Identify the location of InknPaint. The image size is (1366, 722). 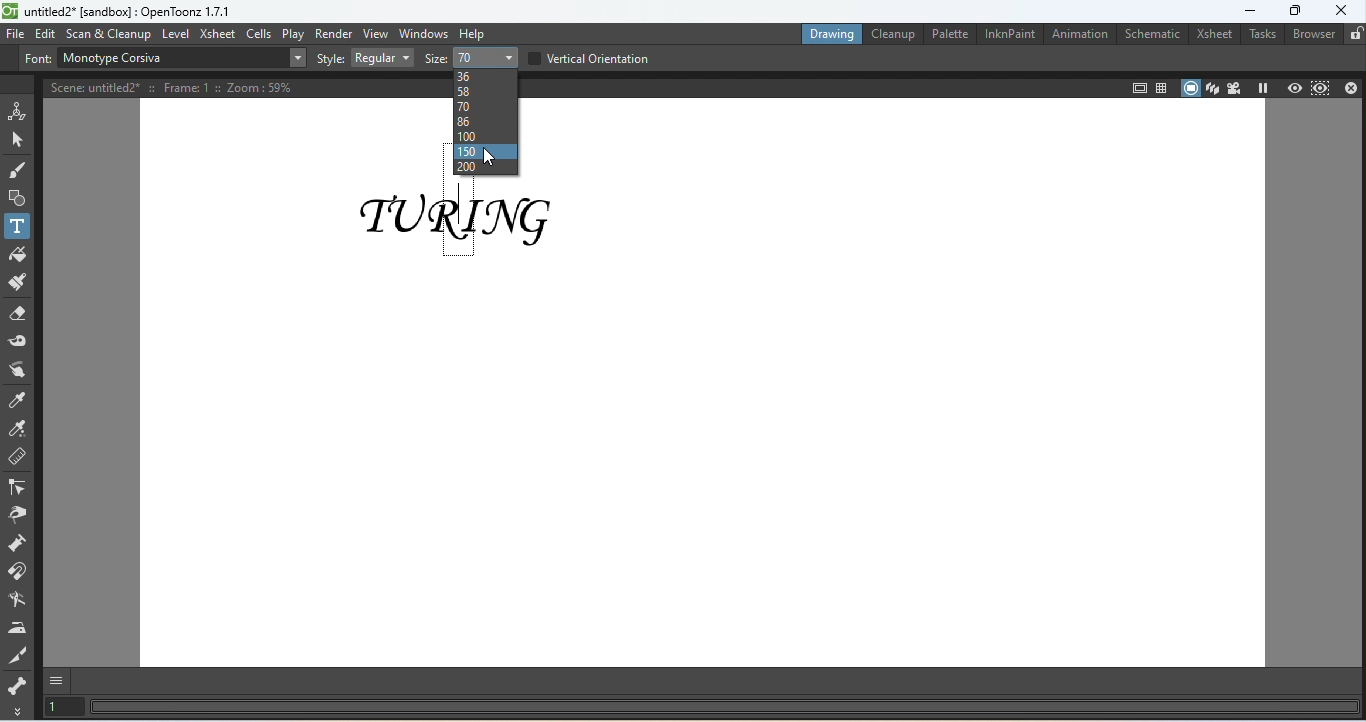
(1007, 34).